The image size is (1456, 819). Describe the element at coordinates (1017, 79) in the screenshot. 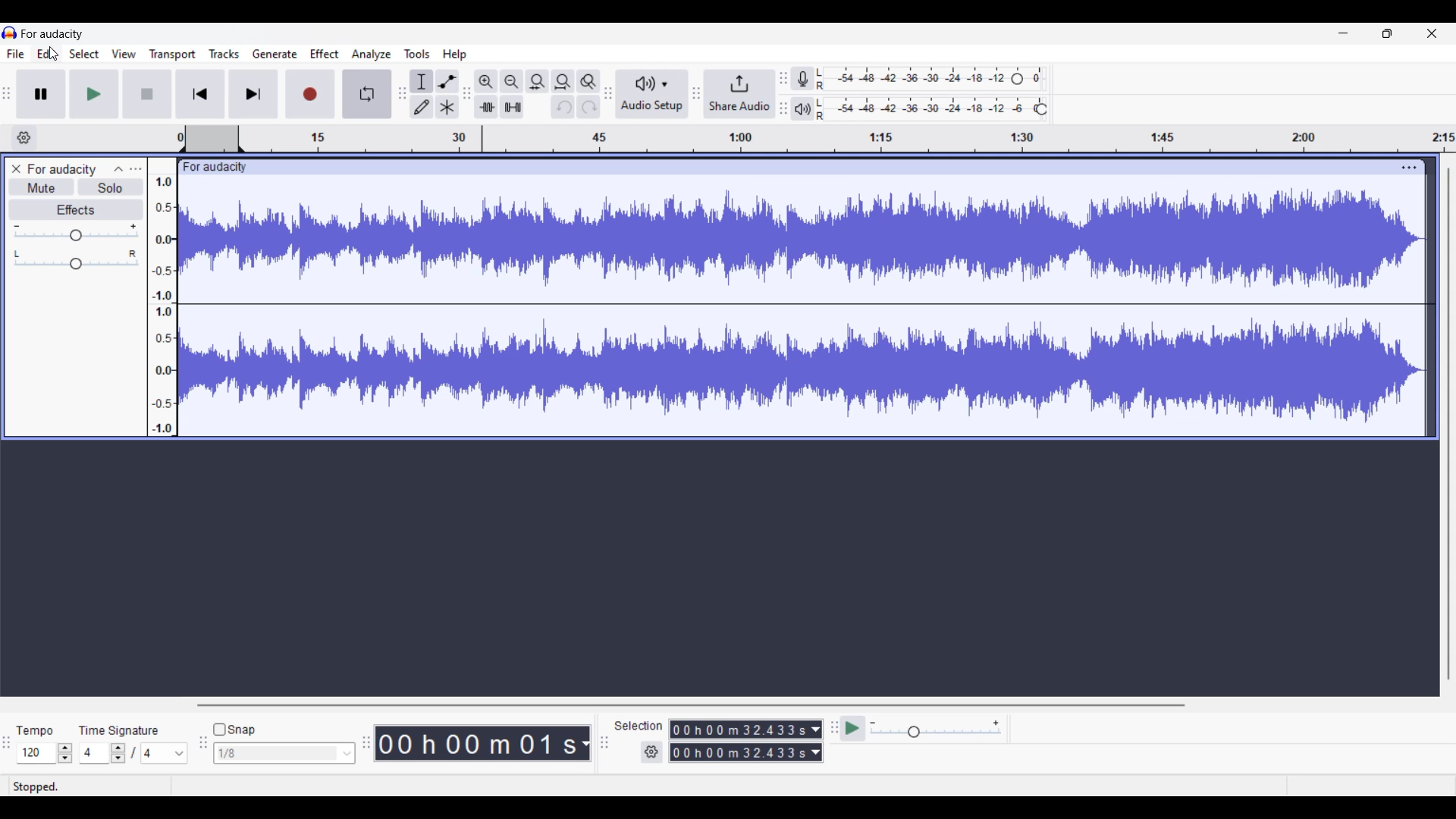

I see `Header to change recording level` at that location.